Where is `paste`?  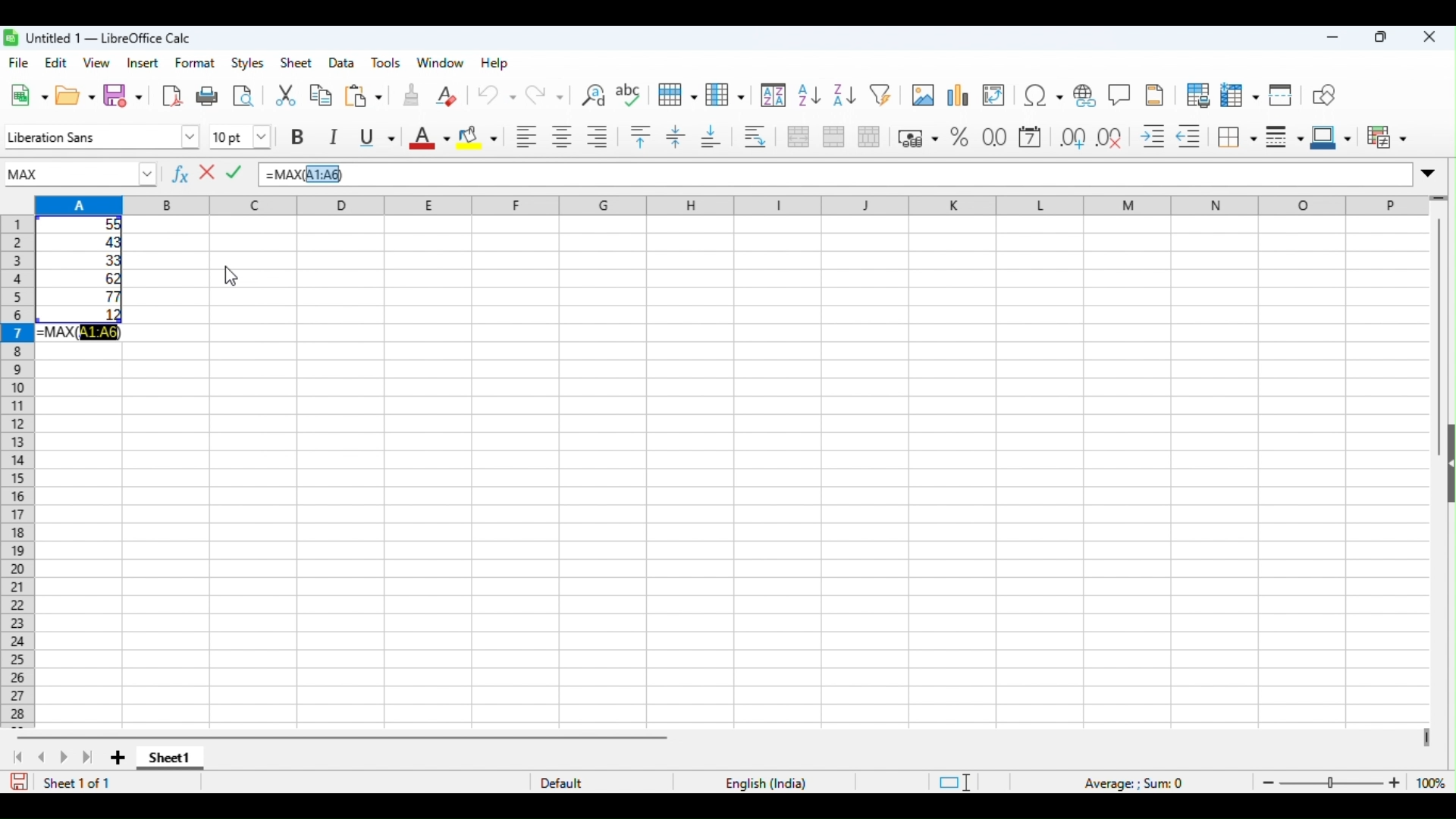
paste is located at coordinates (362, 96).